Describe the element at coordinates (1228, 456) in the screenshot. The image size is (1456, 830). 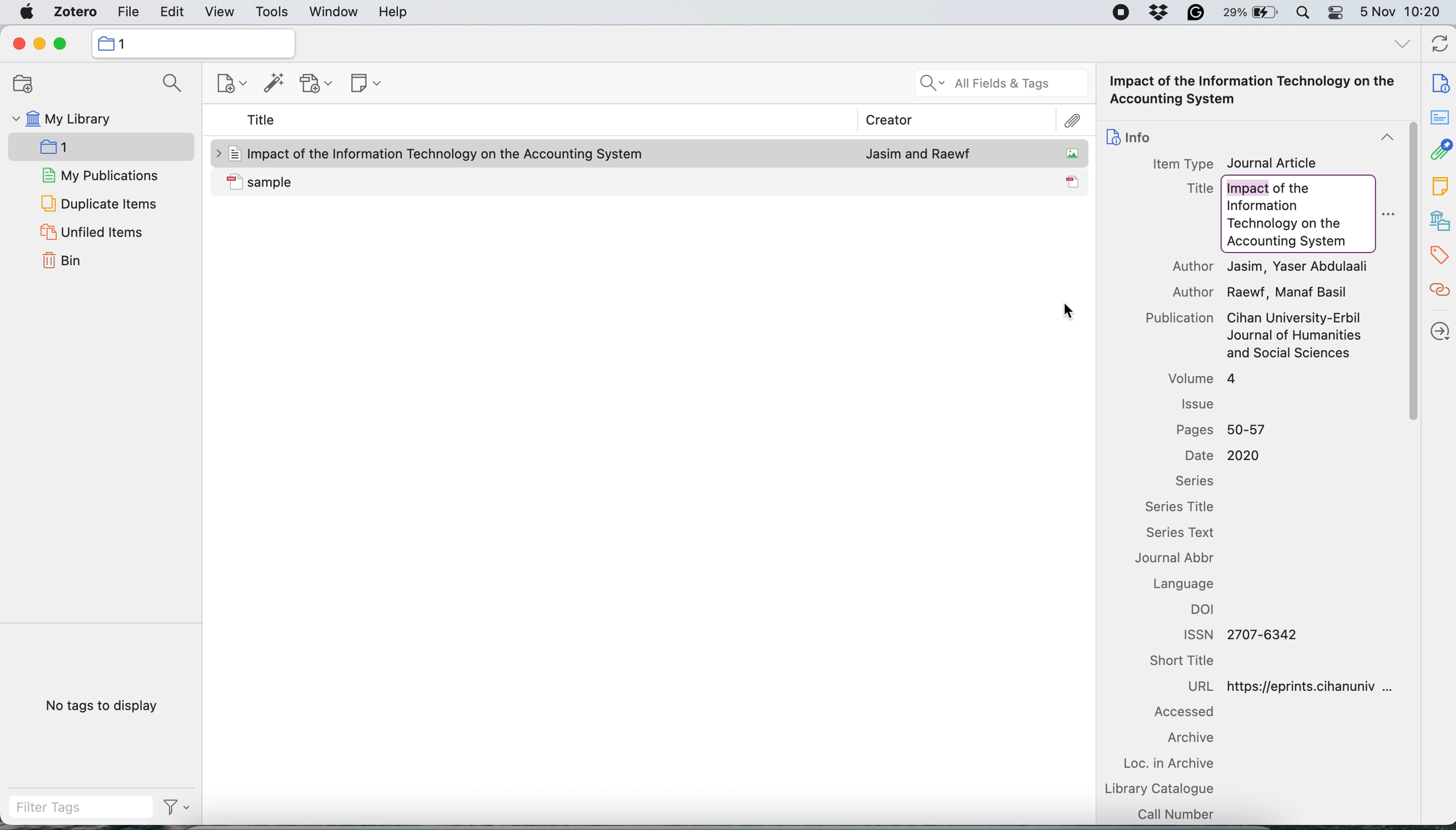
I see `Date 2020` at that location.